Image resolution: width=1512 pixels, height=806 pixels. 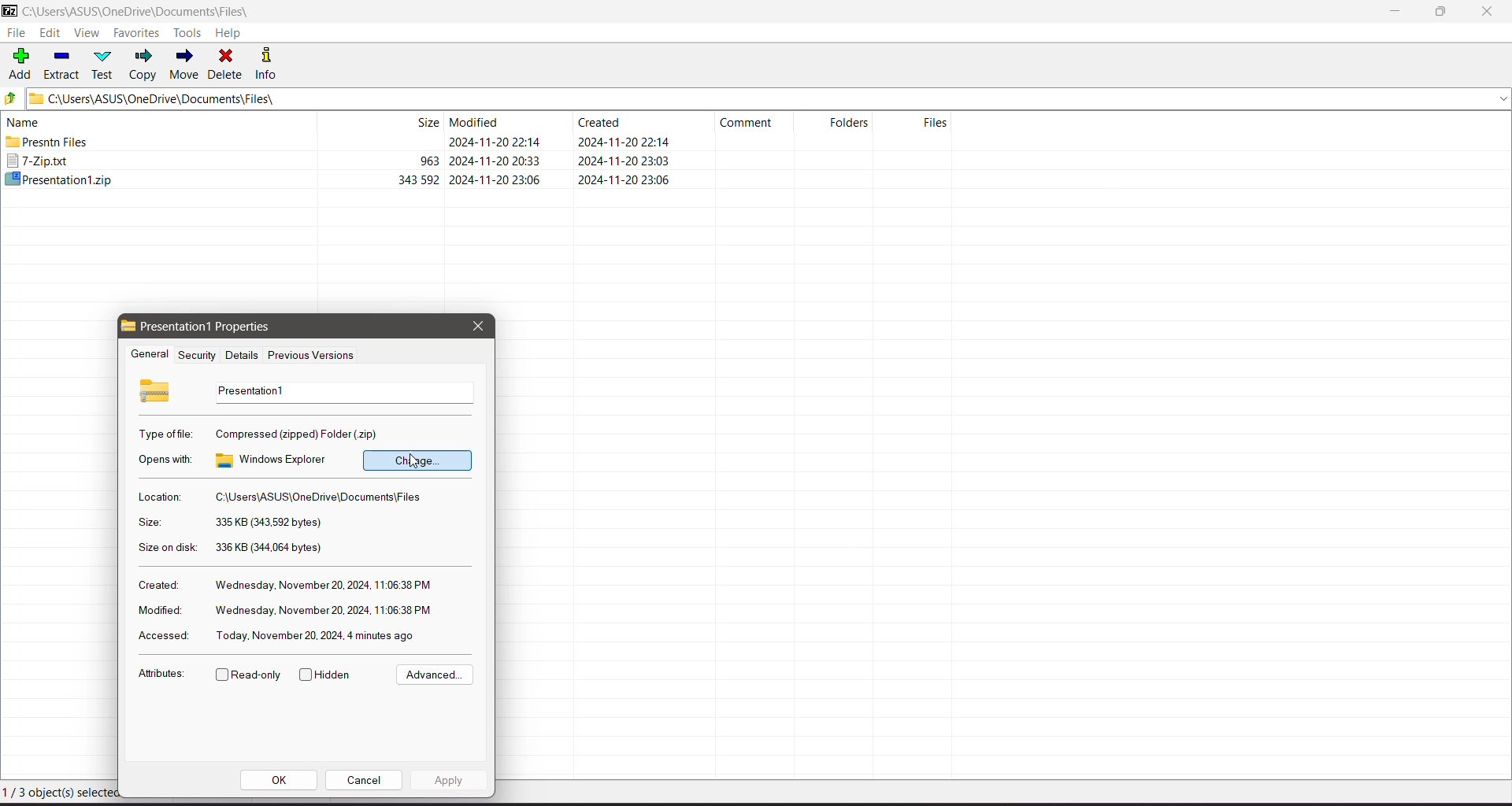 What do you see at coordinates (324, 586) in the screenshot?
I see `Created Day, Date, Year and time of the selected file` at bounding box center [324, 586].